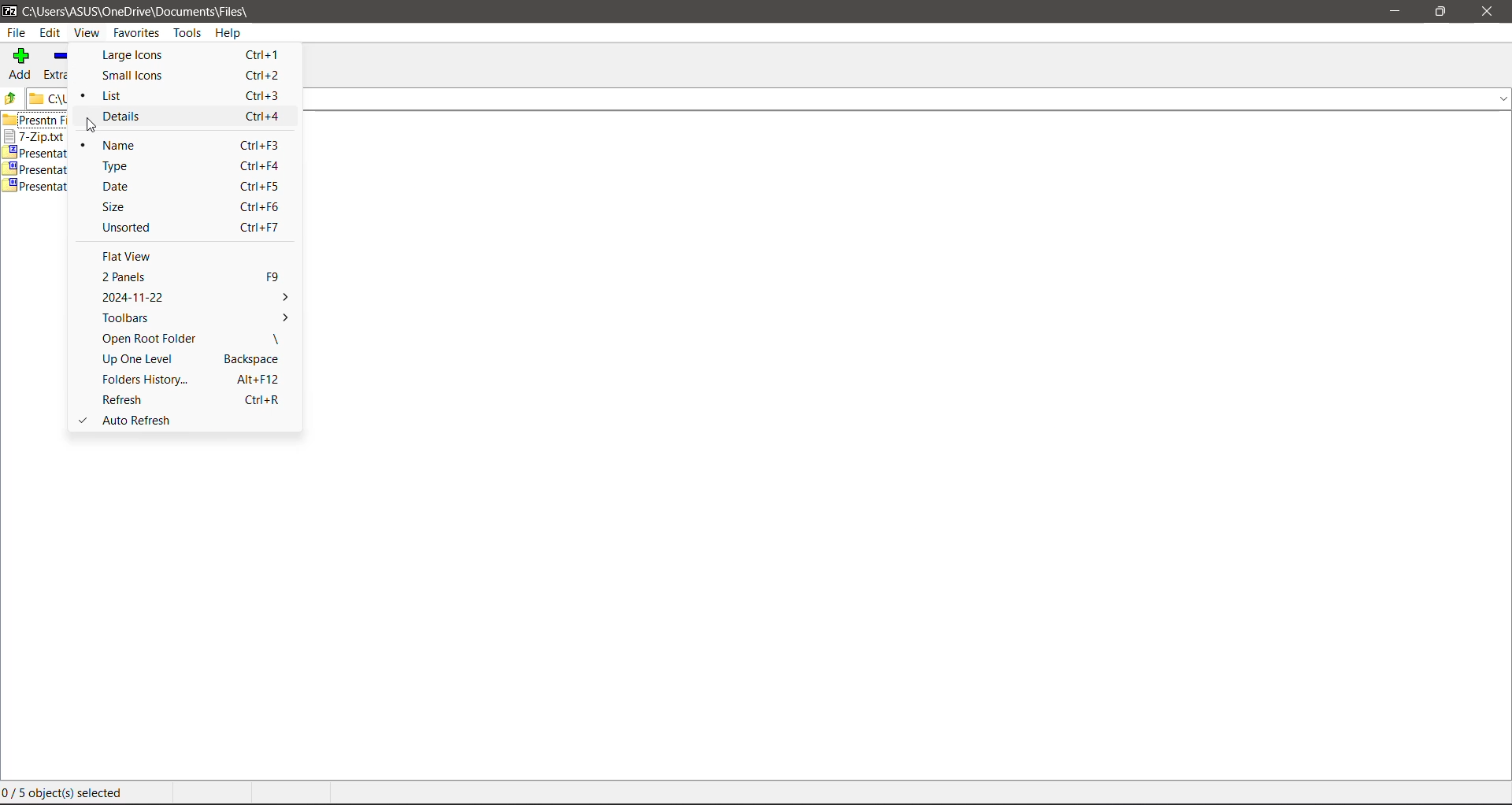  Describe the element at coordinates (290, 308) in the screenshot. I see `More Options` at that location.